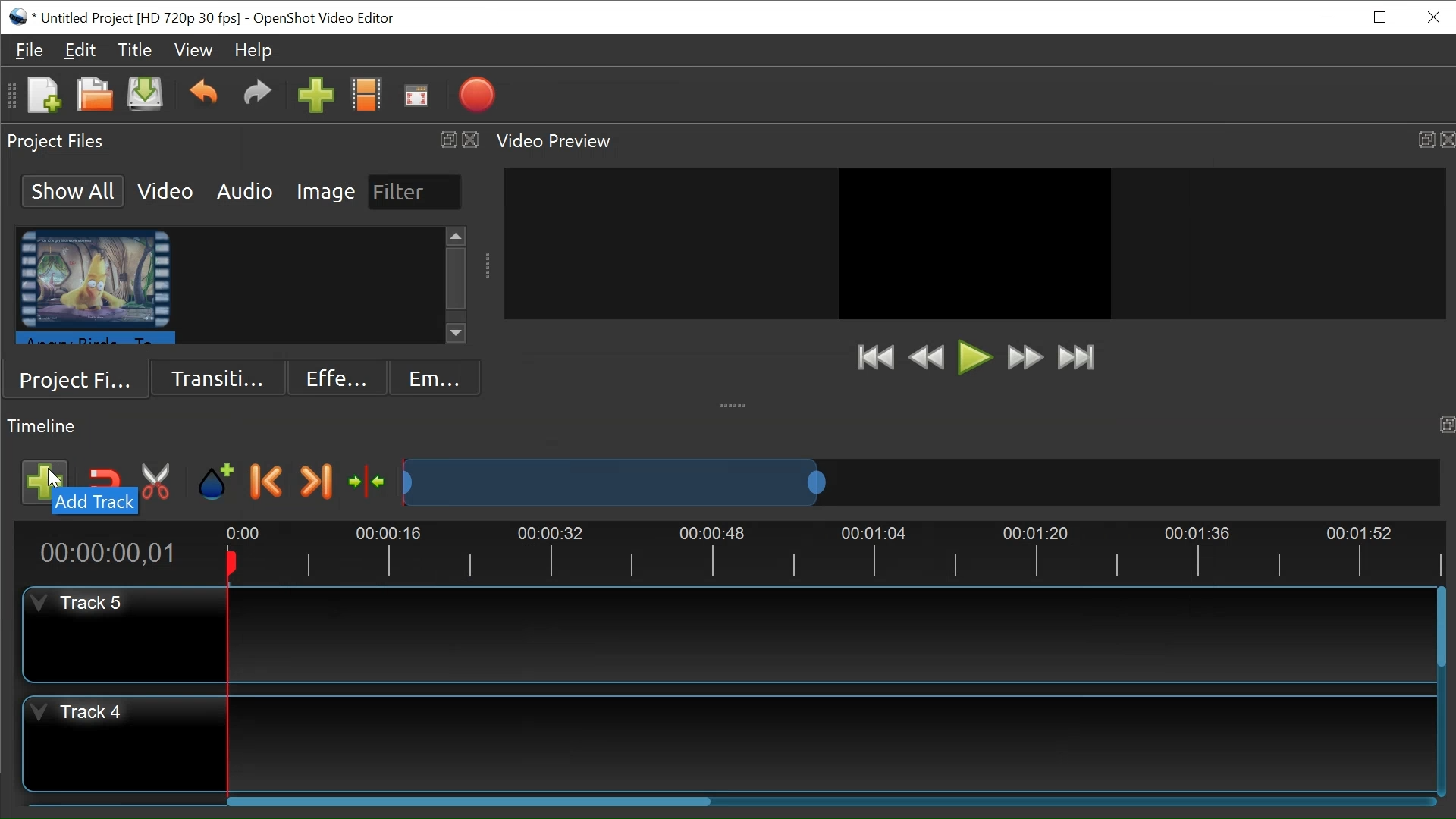  What do you see at coordinates (1381, 17) in the screenshot?
I see `Restore` at bounding box center [1381, 17].